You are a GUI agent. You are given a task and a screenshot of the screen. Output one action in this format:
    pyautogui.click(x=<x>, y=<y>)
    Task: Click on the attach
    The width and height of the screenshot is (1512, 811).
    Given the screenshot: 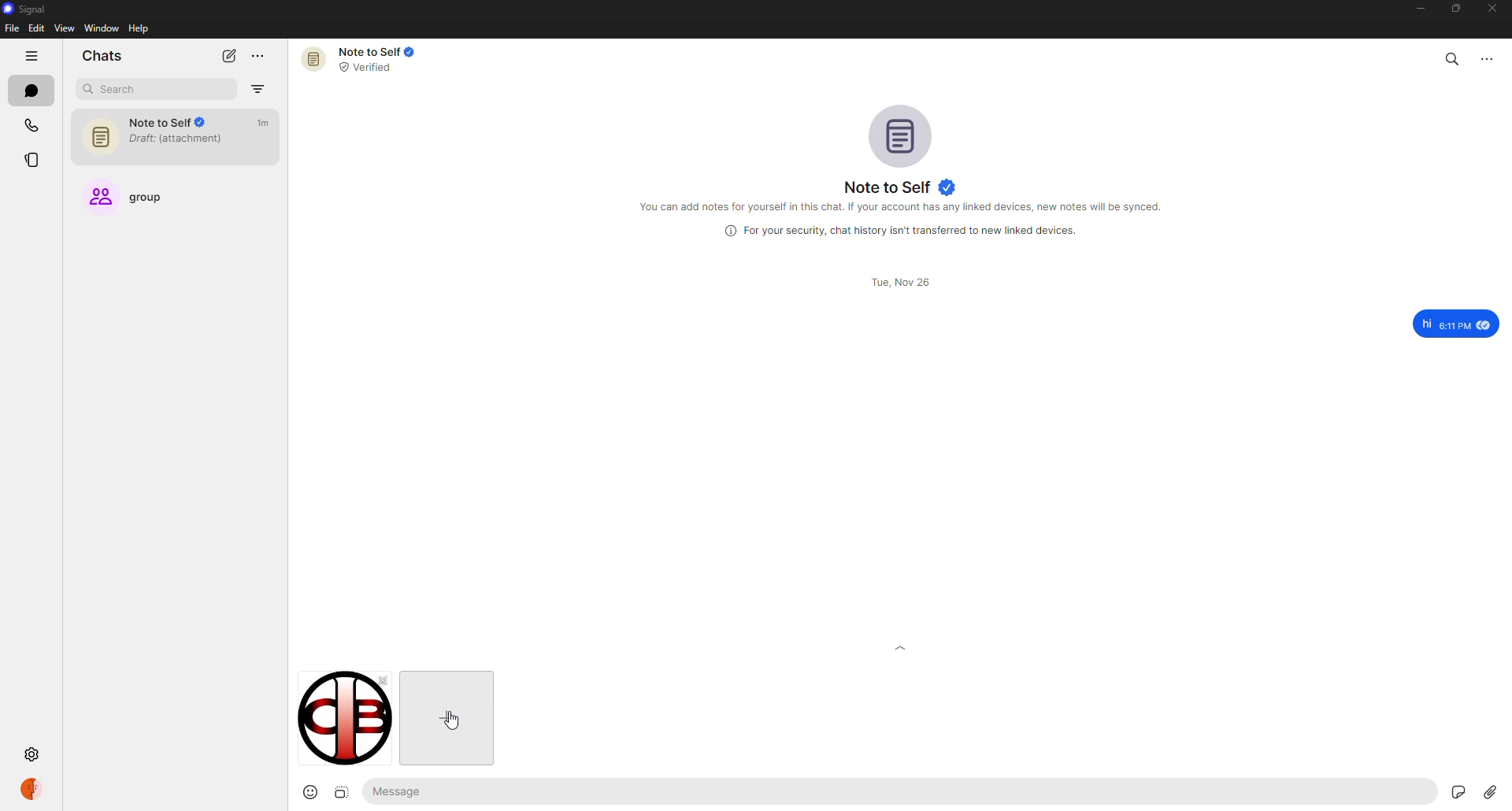 What is the action you would take?
    pyautogui.click(x=1490, y=792)
    